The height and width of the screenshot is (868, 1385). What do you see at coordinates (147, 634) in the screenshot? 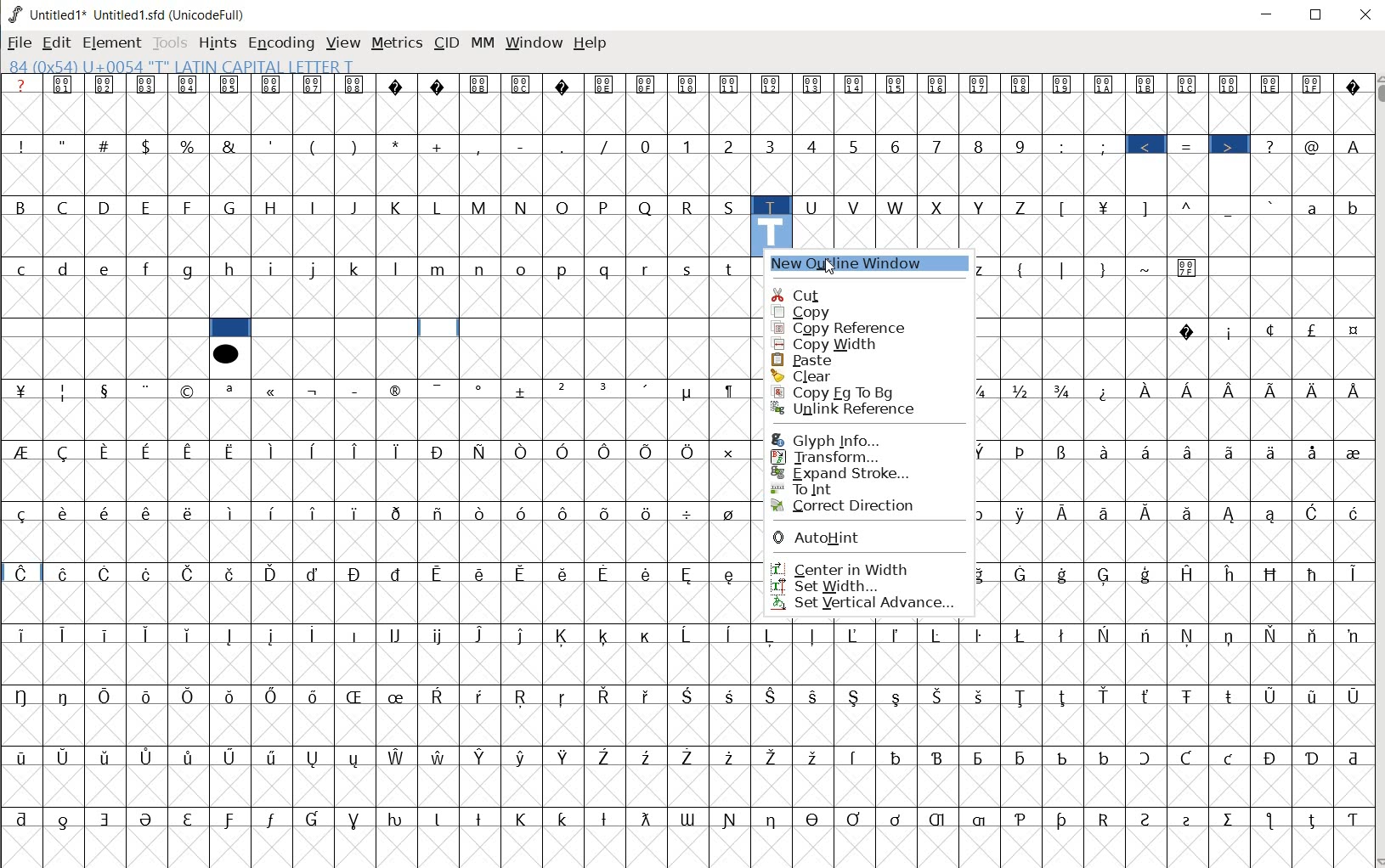
I see `Symbol` at bounding box center [147, 634].